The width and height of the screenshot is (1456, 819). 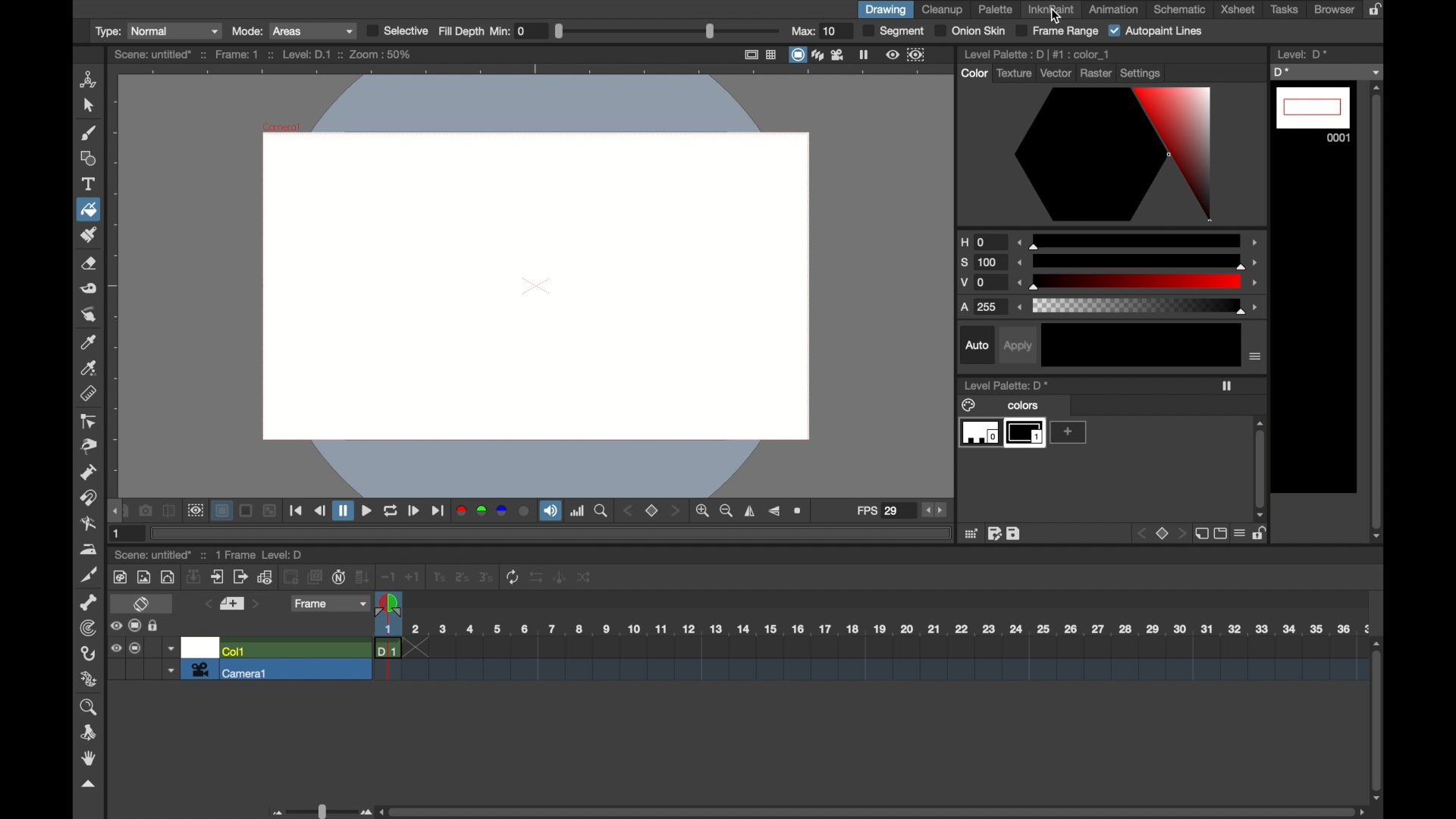 I want to click on refresh, so click(x=390, y=512).